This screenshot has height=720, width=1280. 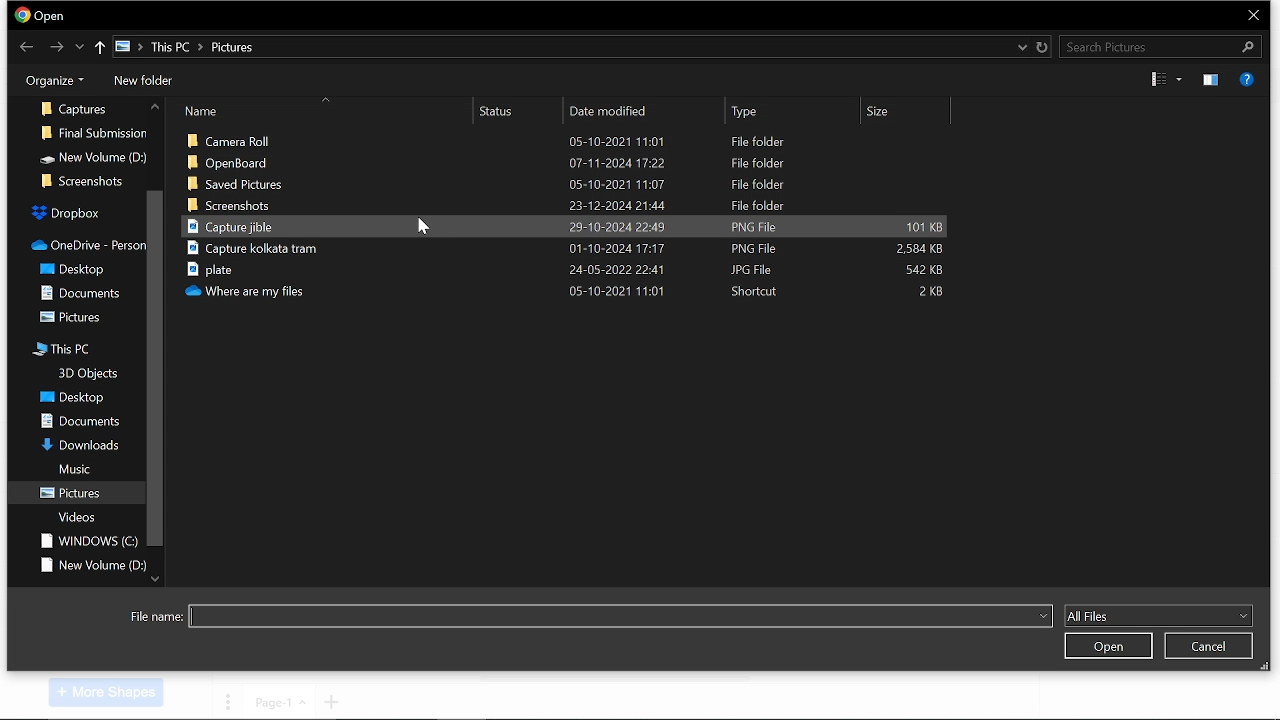 I want to click on folders, so click(x=73, y=491).